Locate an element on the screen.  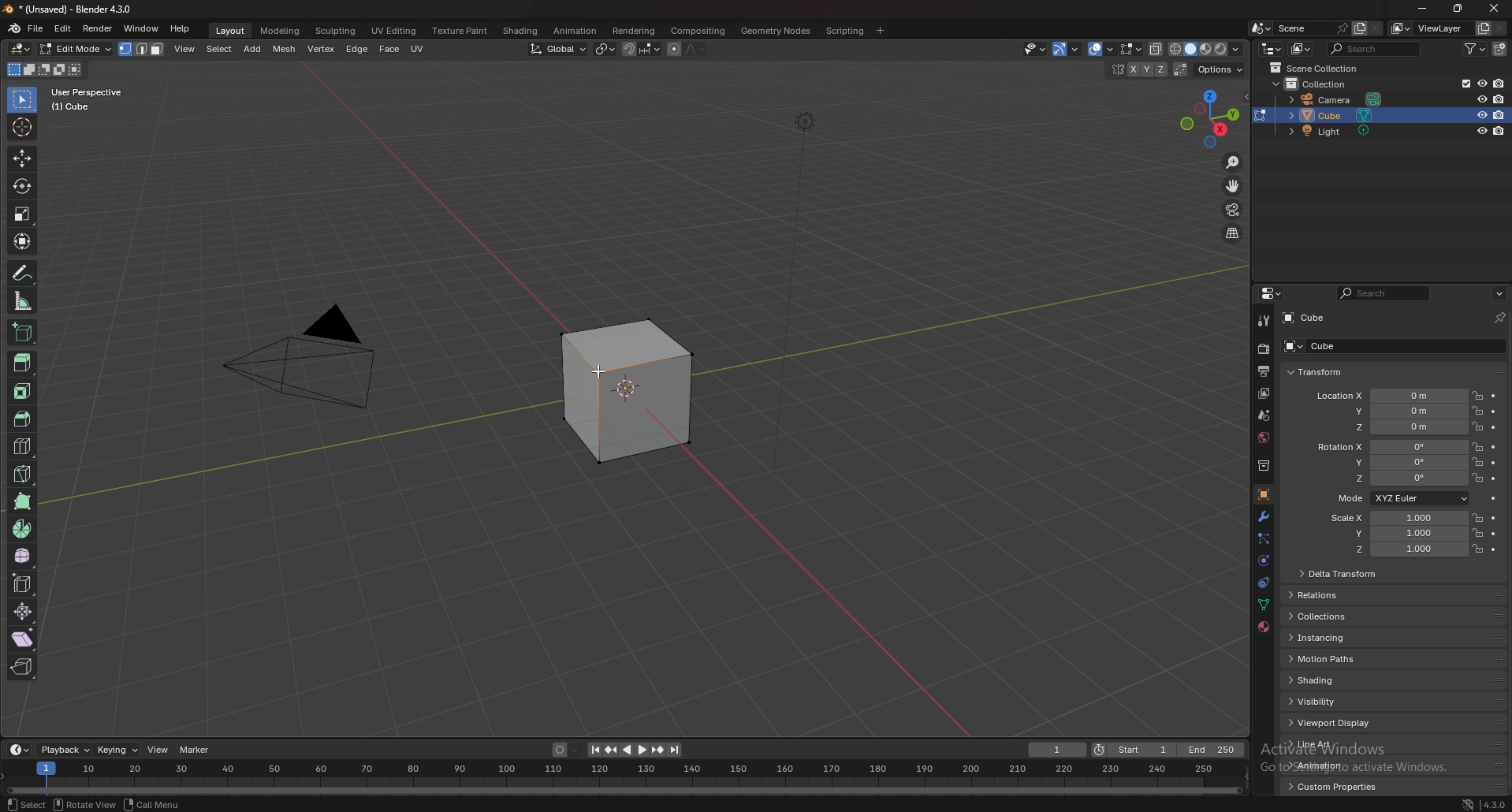
display mode is located at coordinates (1302, 50).